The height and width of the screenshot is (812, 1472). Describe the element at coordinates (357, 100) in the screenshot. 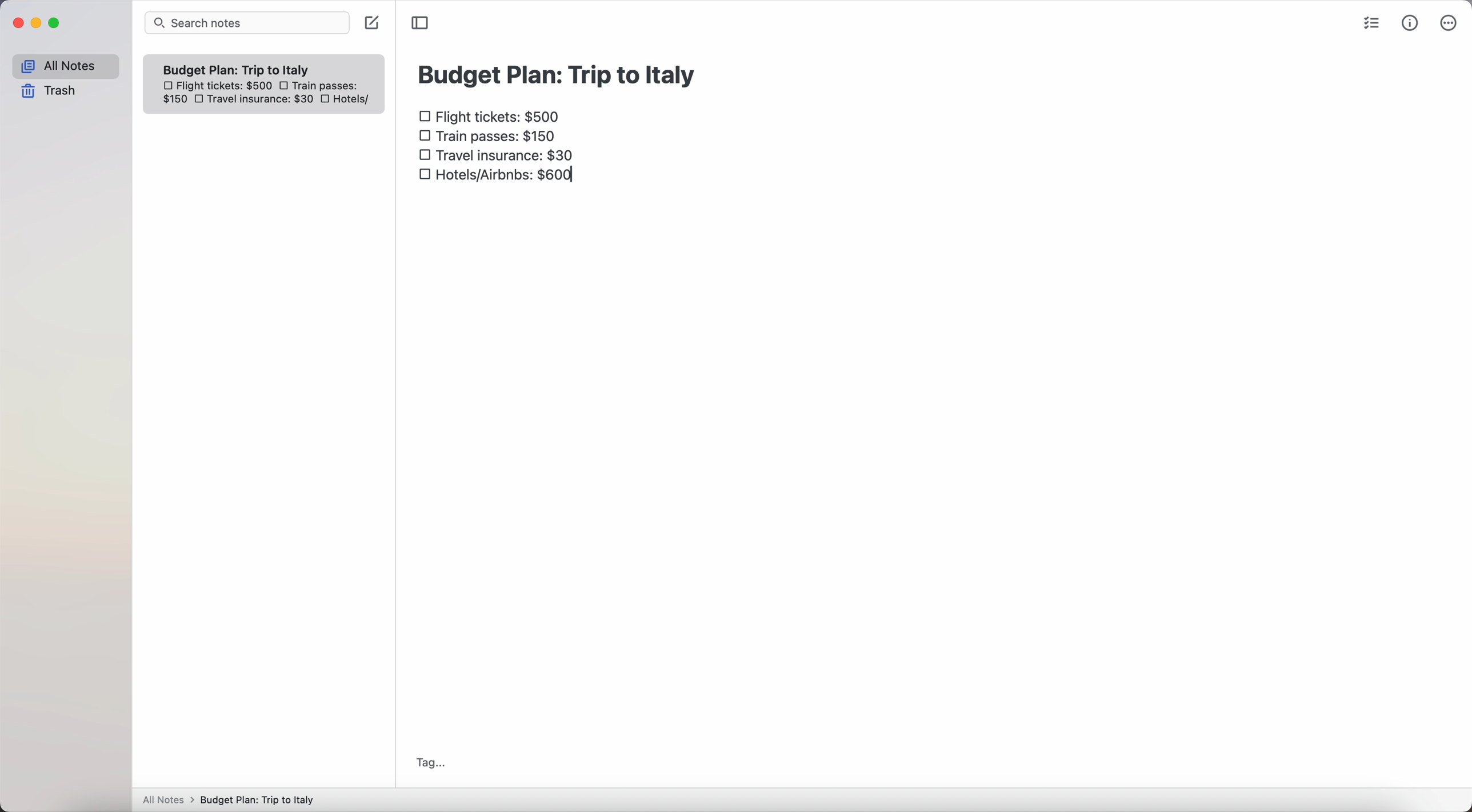

I see `hotels` at that location.